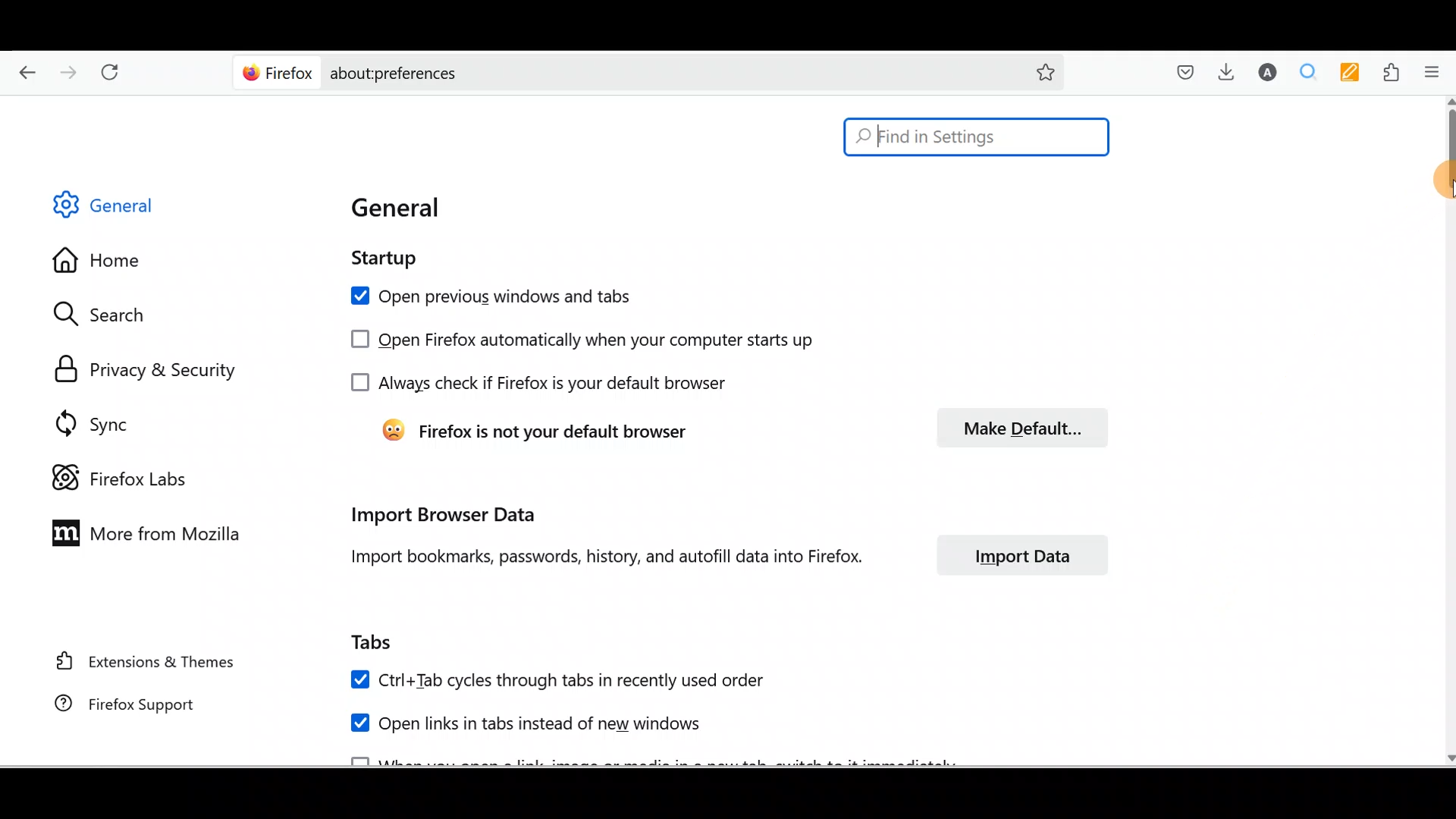 The width and height of the screenshot is (1456, 819). Describe the element at coordinates (152, 371) in the screenshot. I see `Privacy & security` at that location.